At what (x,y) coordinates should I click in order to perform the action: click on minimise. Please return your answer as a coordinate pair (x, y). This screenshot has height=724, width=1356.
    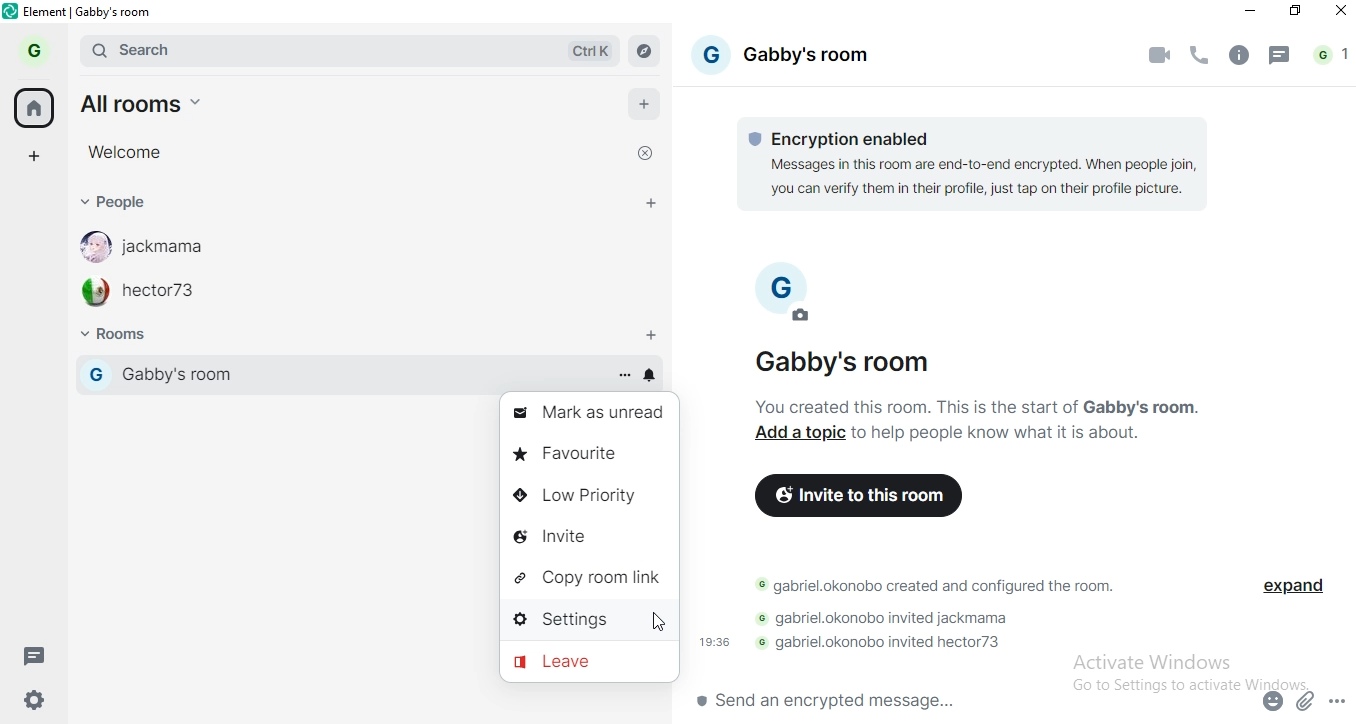
    Looking at the image, I should click on (1250, 14).